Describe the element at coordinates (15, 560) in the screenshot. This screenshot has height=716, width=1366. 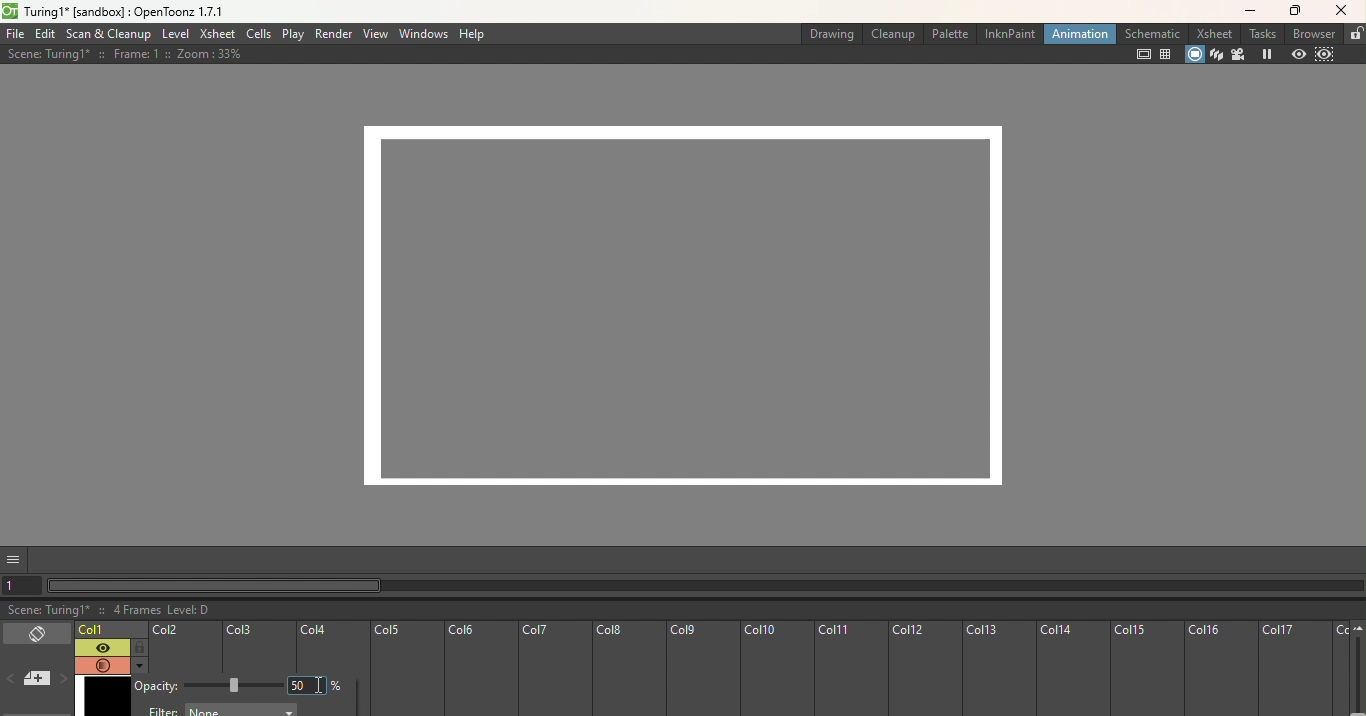
I see `GUI show/hide` at that location.